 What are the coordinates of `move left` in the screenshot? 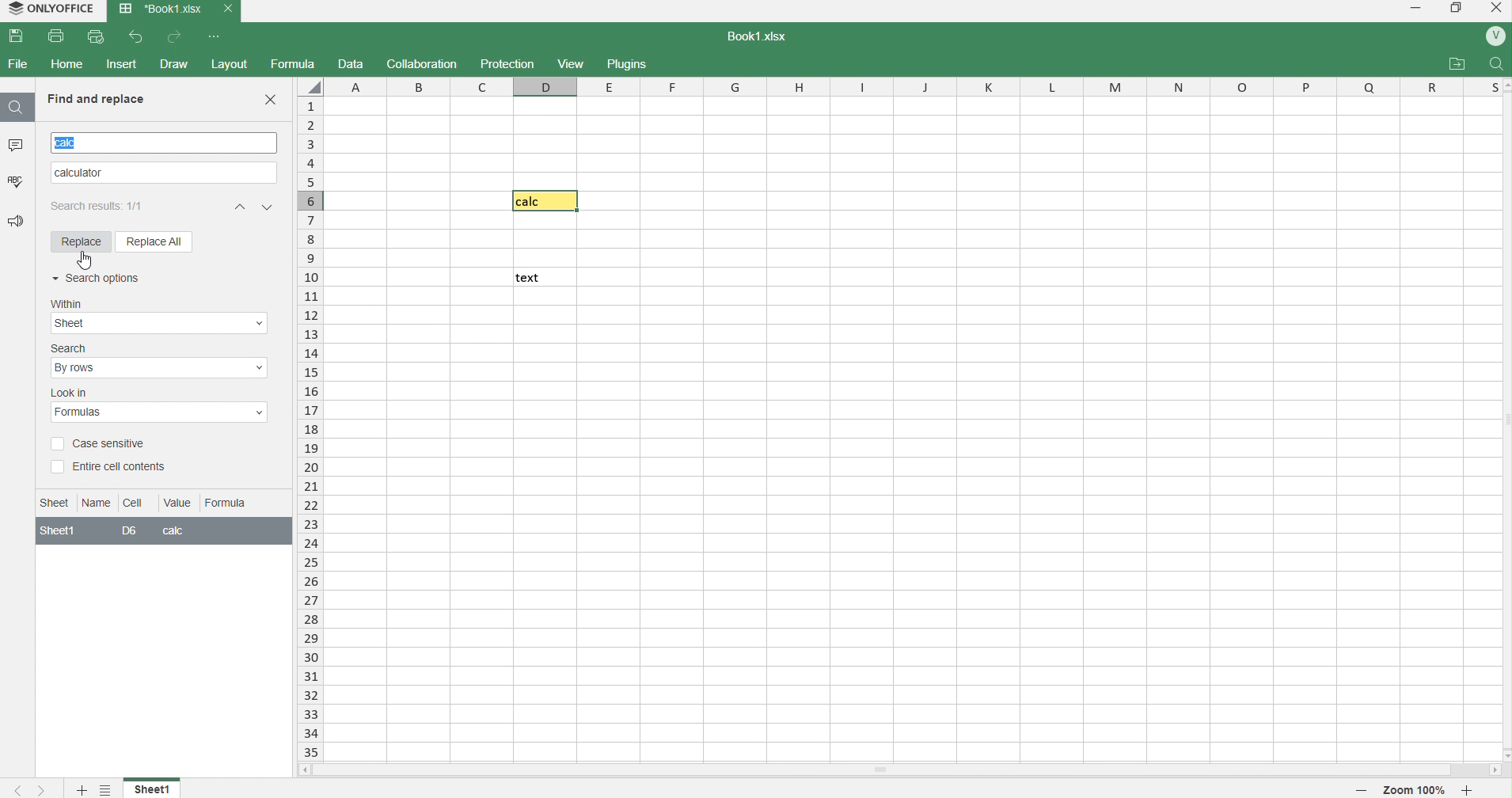 It's located at (304, 769).